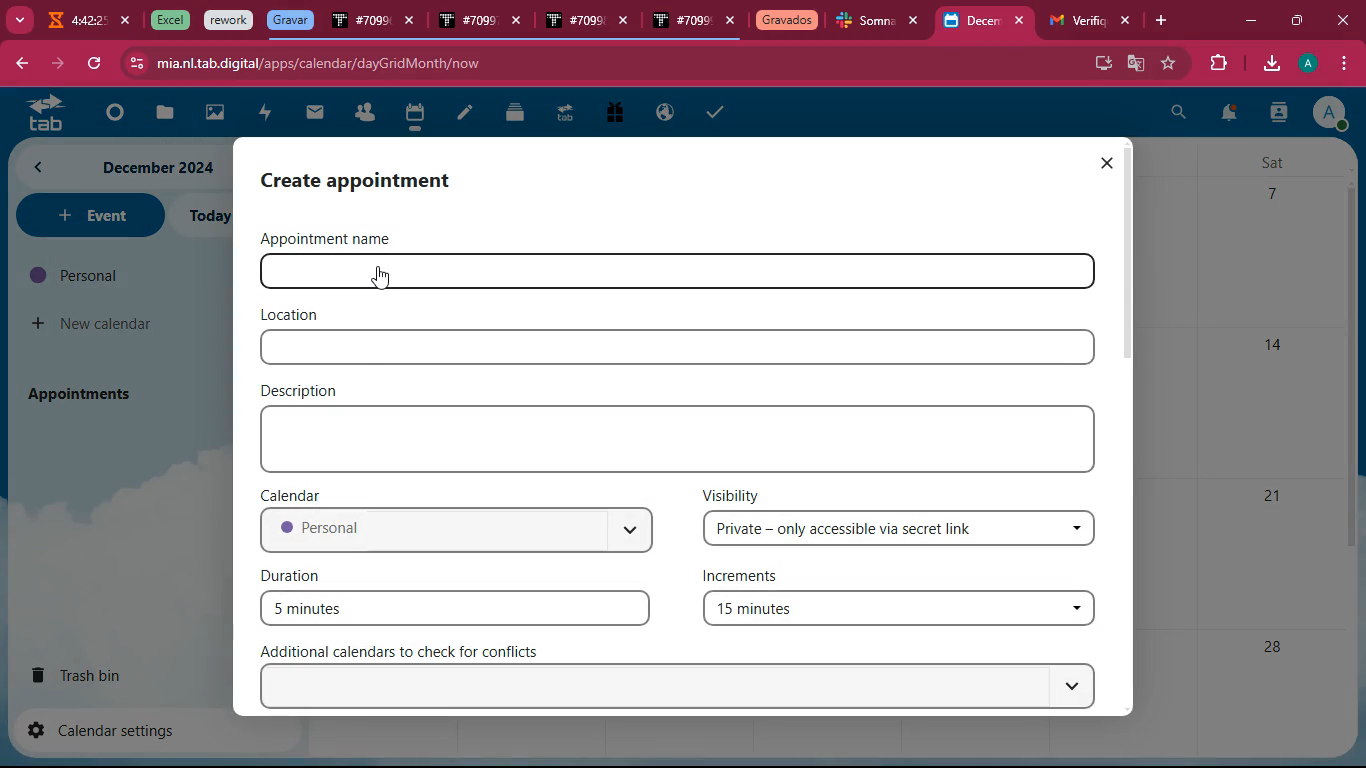 This screenshot has width=1366, height=768. What do you see at coordinates (666, 113) in the screenshot?
I see `public` at bounding box center [666, 113].